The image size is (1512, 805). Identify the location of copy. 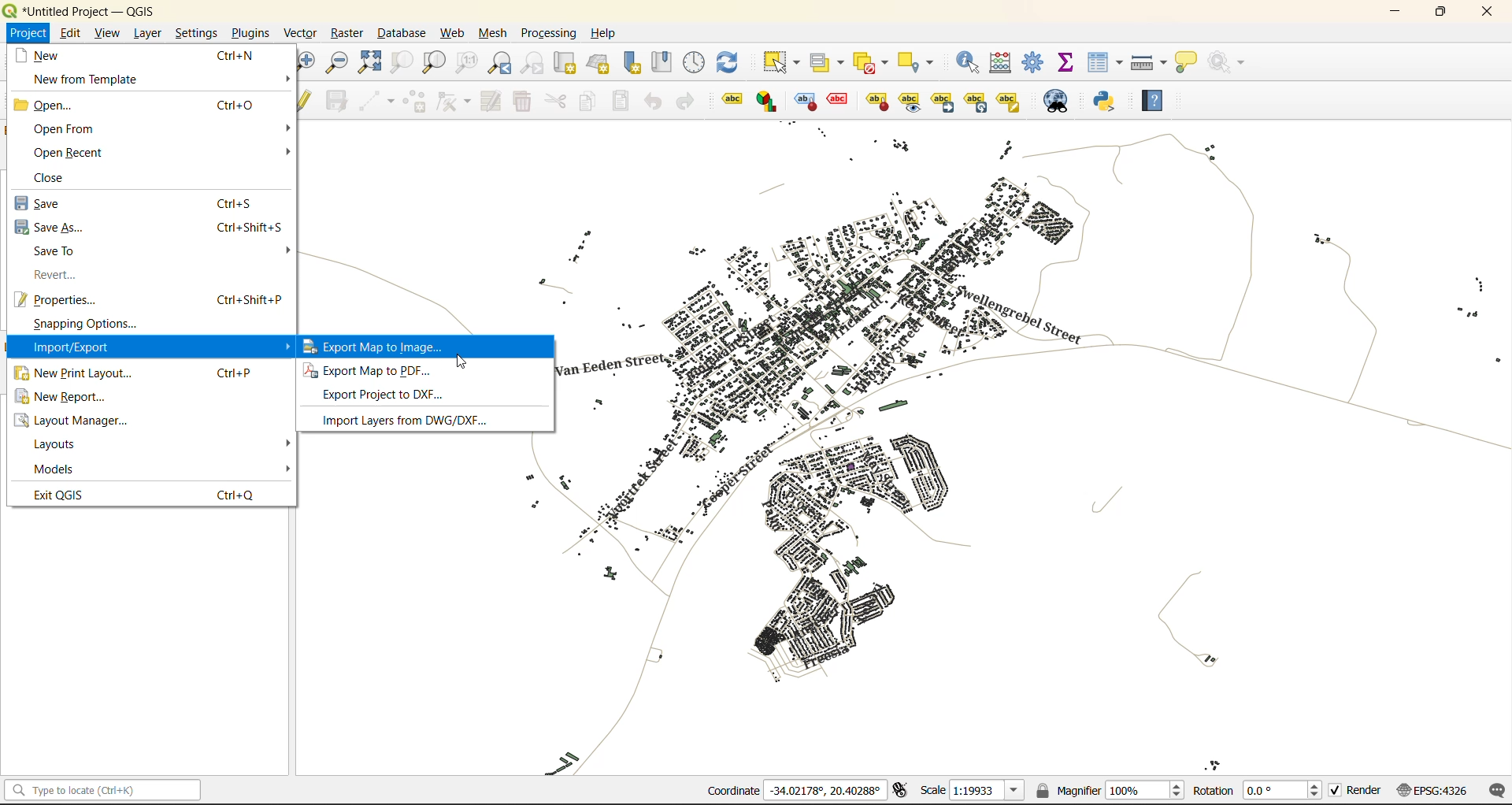
(587, 101).